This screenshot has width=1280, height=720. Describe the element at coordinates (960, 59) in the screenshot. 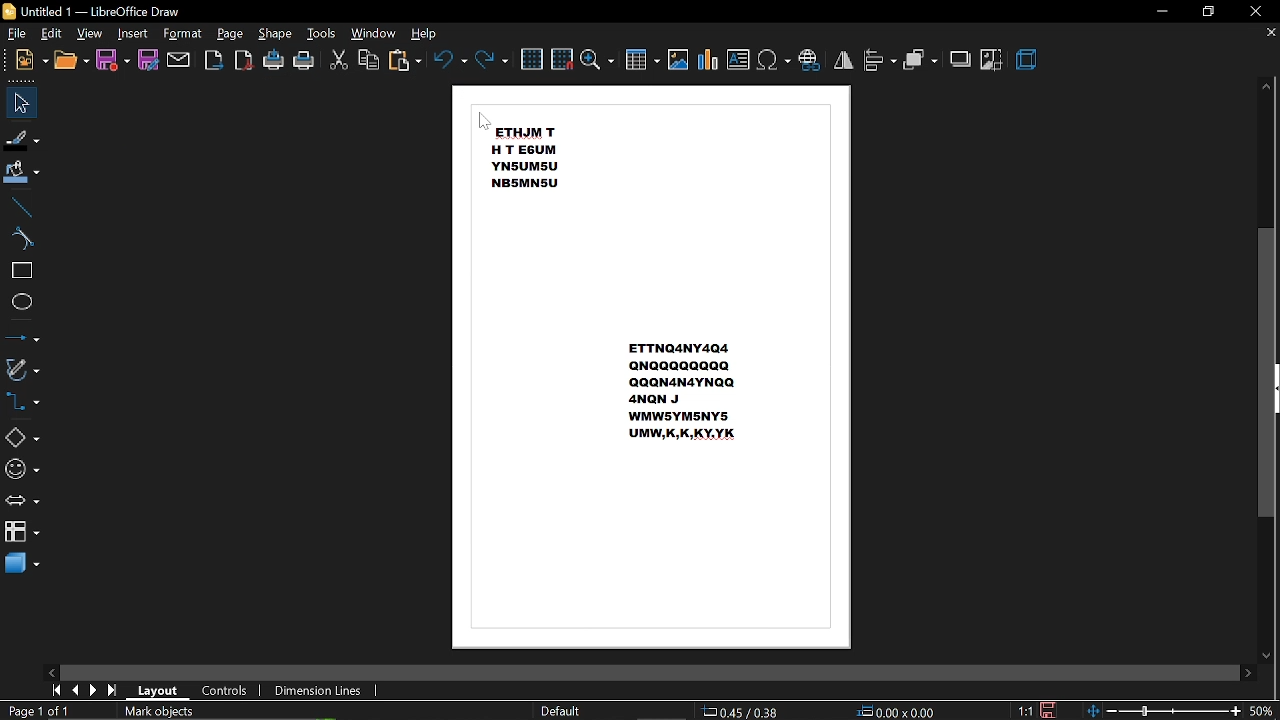

I see `shadow` at that location.